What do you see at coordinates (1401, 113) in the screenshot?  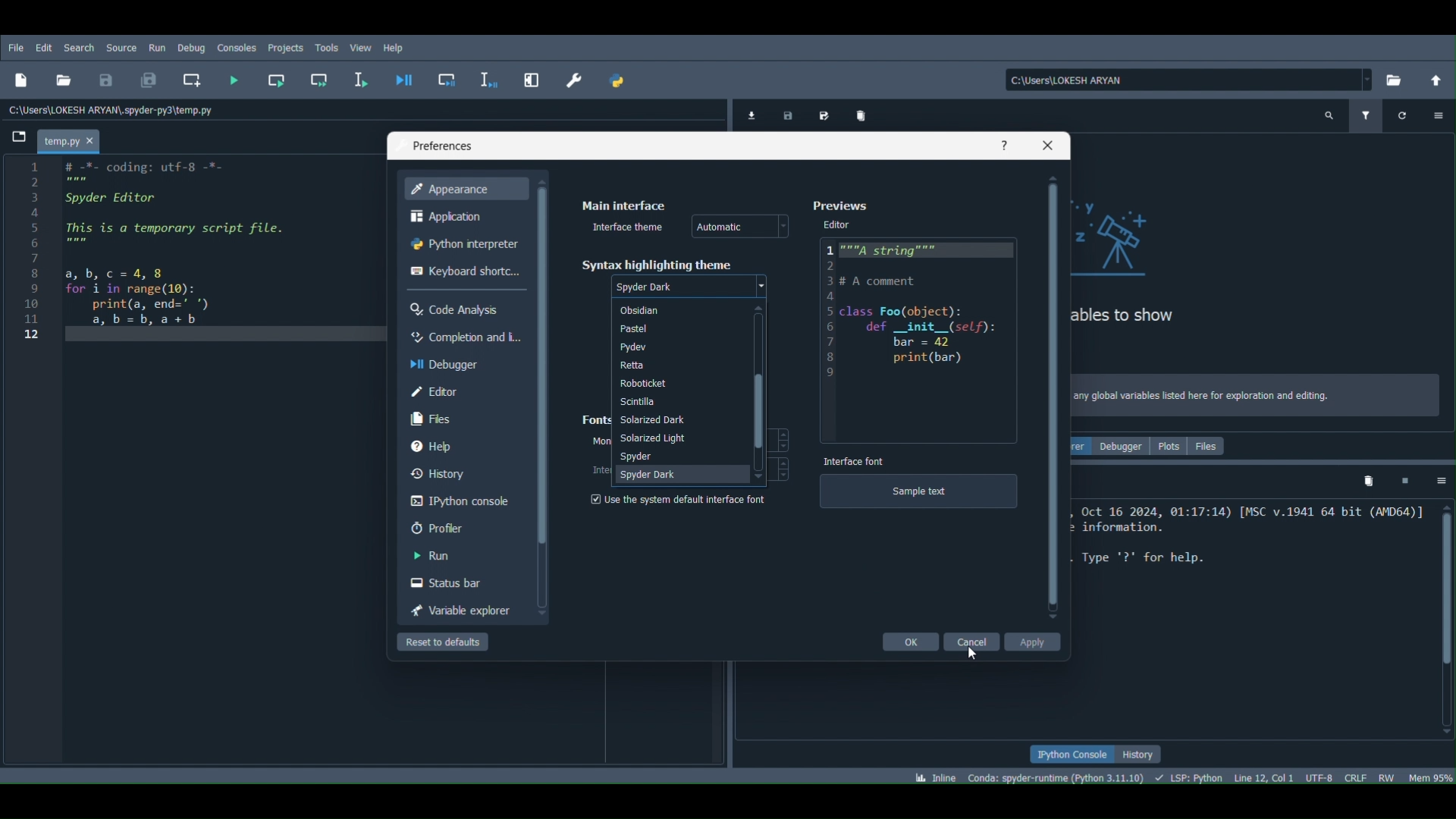 I see `Refresh variables` at bounding box center [1401, 113].